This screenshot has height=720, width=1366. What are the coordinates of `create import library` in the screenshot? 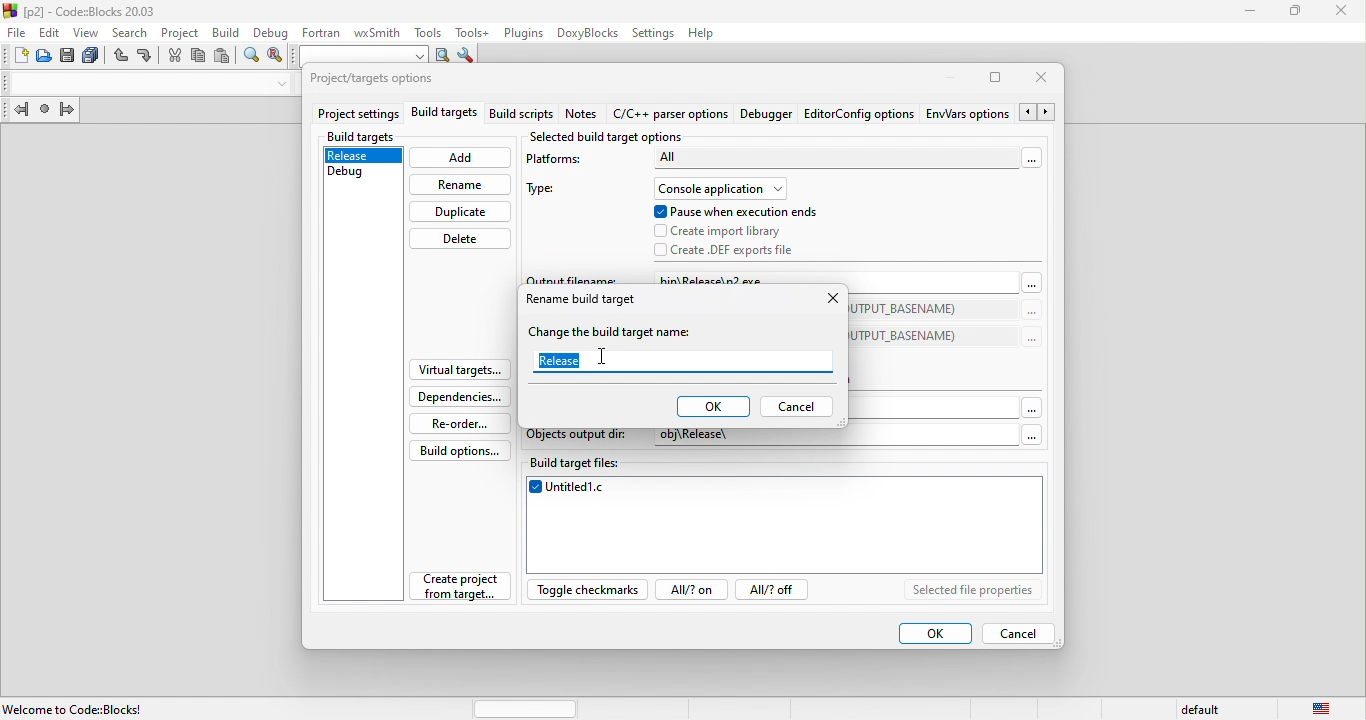 It's located at (724, 232).